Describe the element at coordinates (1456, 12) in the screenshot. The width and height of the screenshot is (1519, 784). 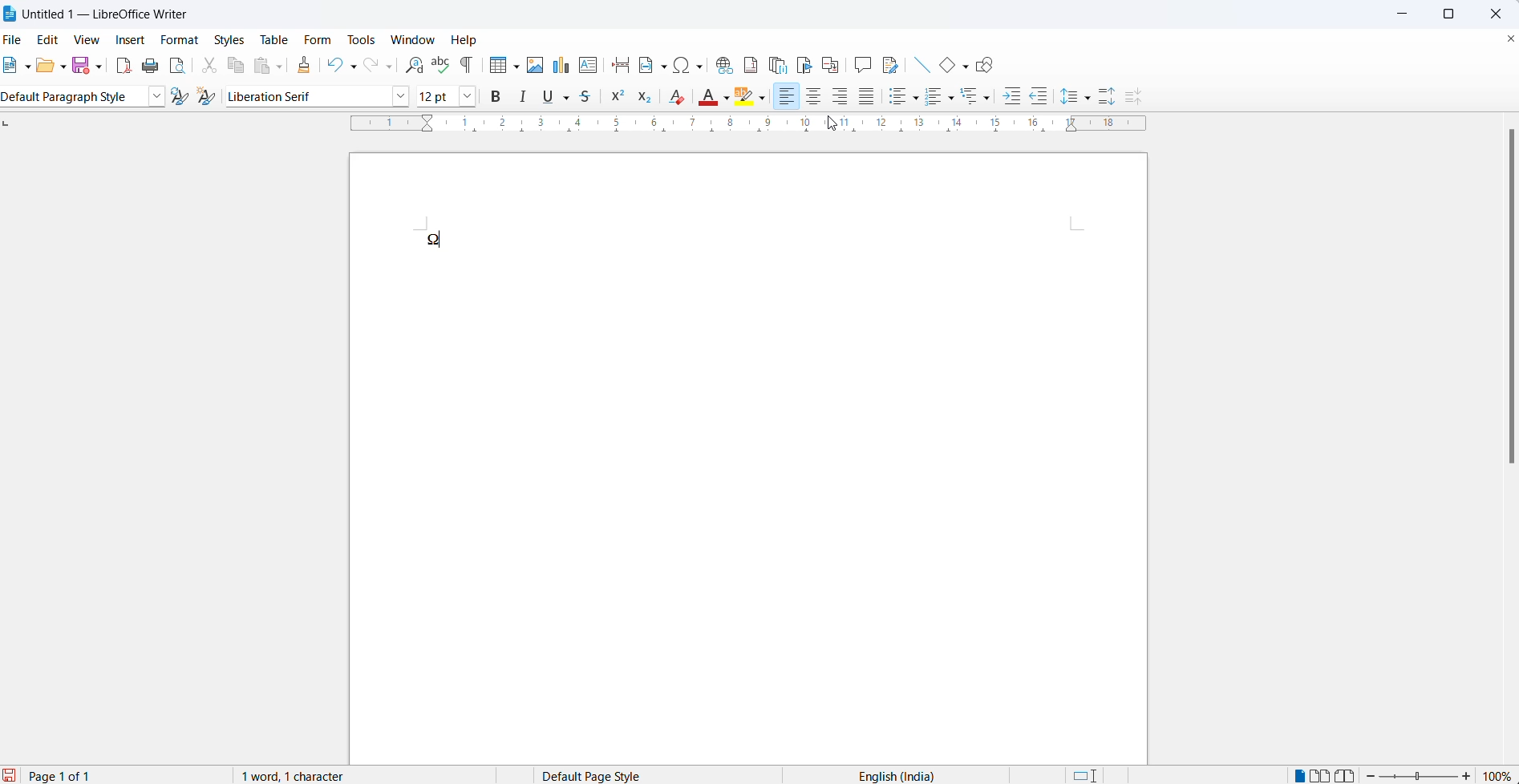
I see `maximize` at that location.